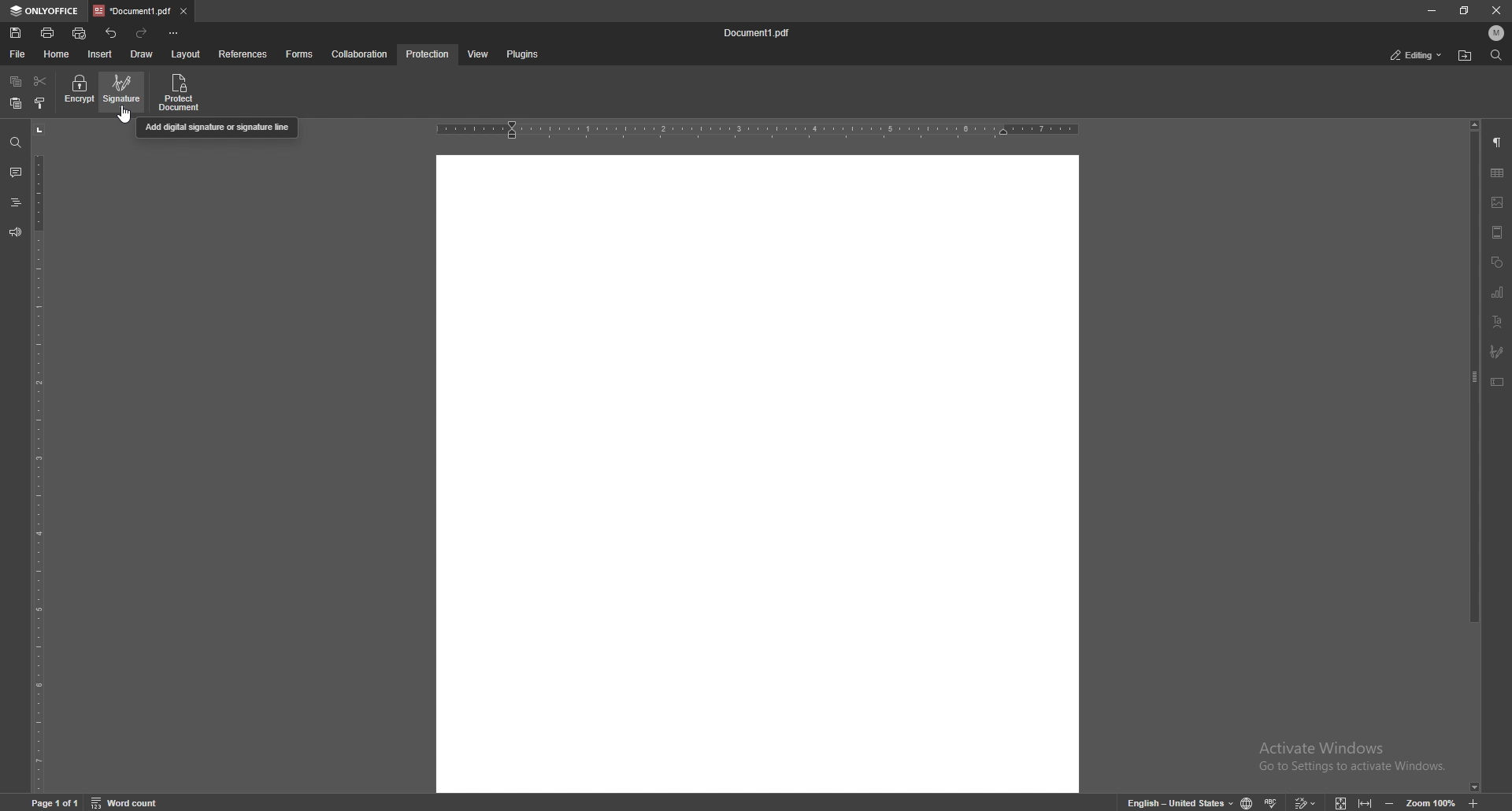 Image resolution: width=1512 pixels, height=811 pixels. What do you see at coordinates (1497, 143) in the screenshot?
I see `paragraph` at bounding box center [1497, 143].